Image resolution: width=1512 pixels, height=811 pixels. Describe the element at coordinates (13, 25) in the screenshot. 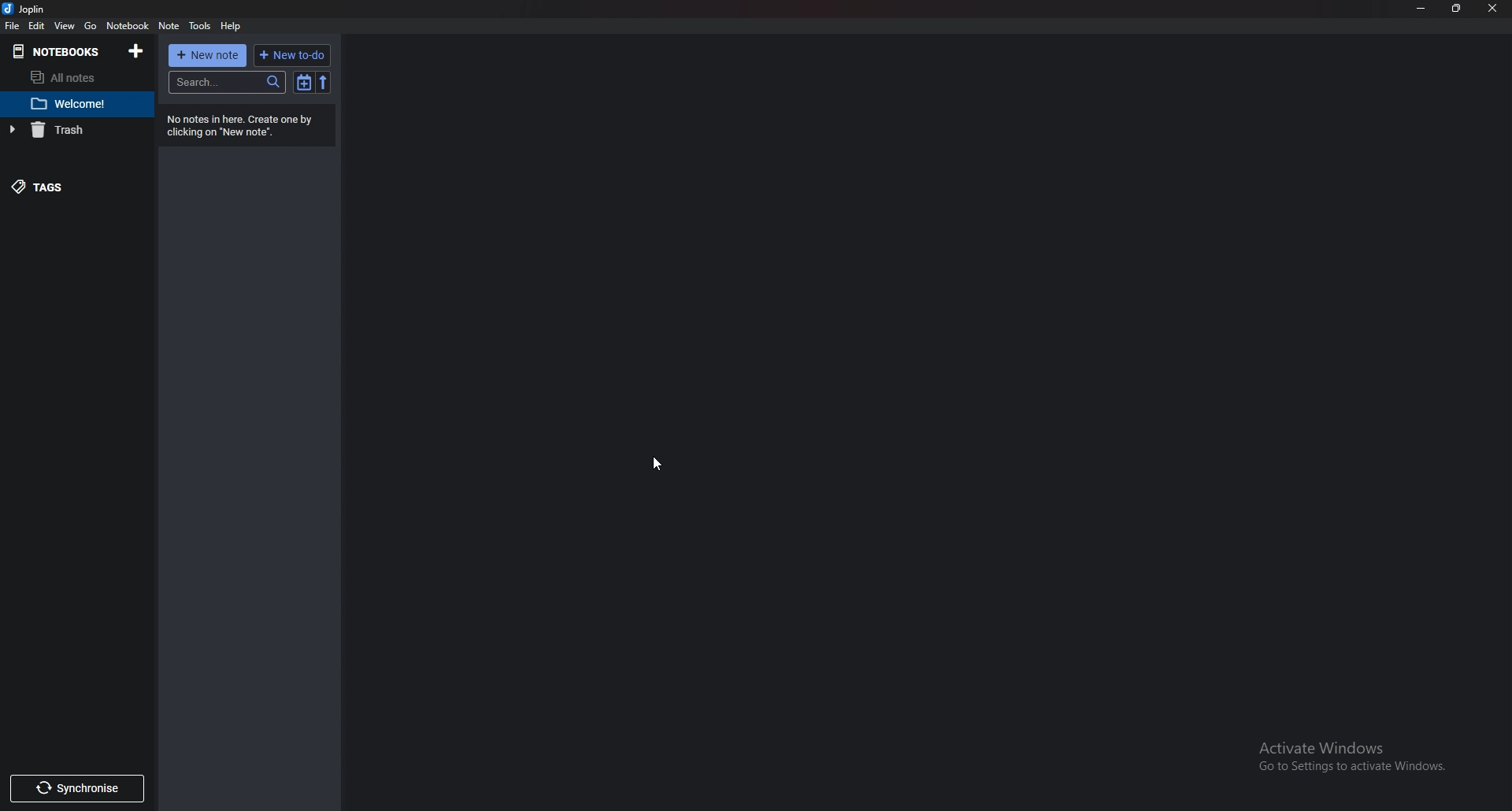

I see `File` at that location.